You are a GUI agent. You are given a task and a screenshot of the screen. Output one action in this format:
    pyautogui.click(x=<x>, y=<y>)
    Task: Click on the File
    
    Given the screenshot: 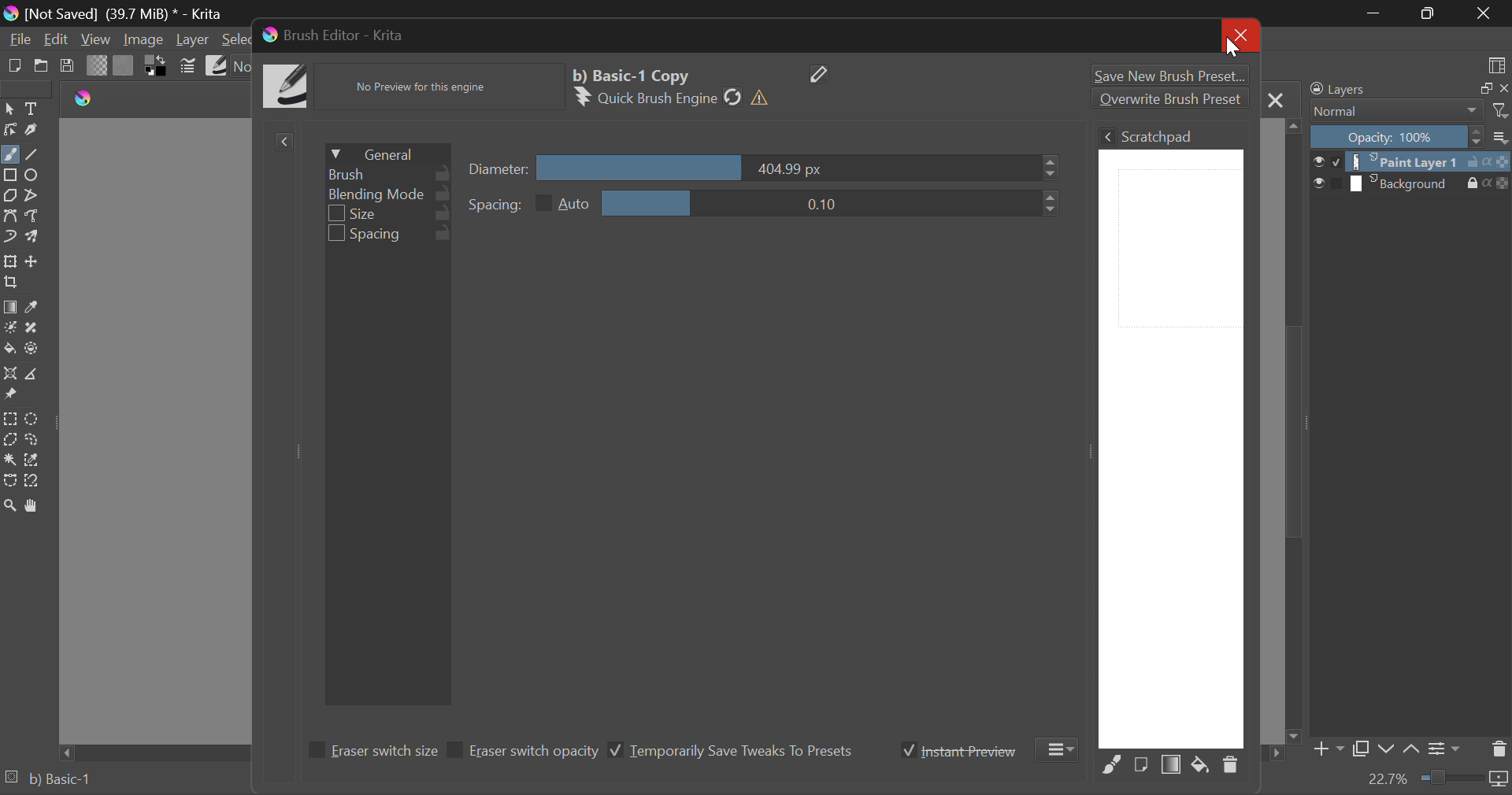 What is the action you would take?
    pyautogui.click(x=19, y=39)
    